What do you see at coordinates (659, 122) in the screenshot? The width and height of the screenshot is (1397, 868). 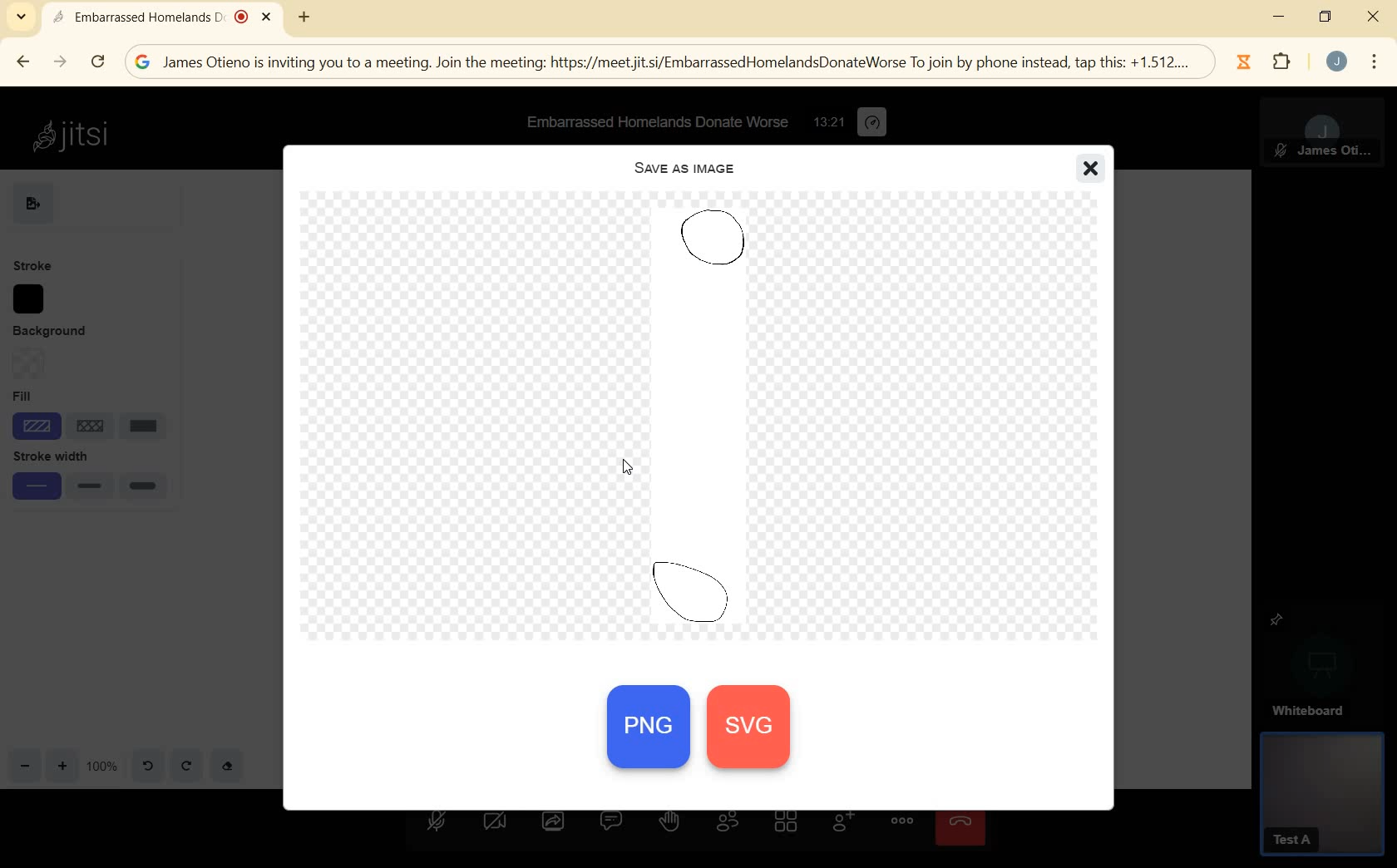 I see `Embarrassed Homelands Donate Worse` at bounding box center [659, 122].